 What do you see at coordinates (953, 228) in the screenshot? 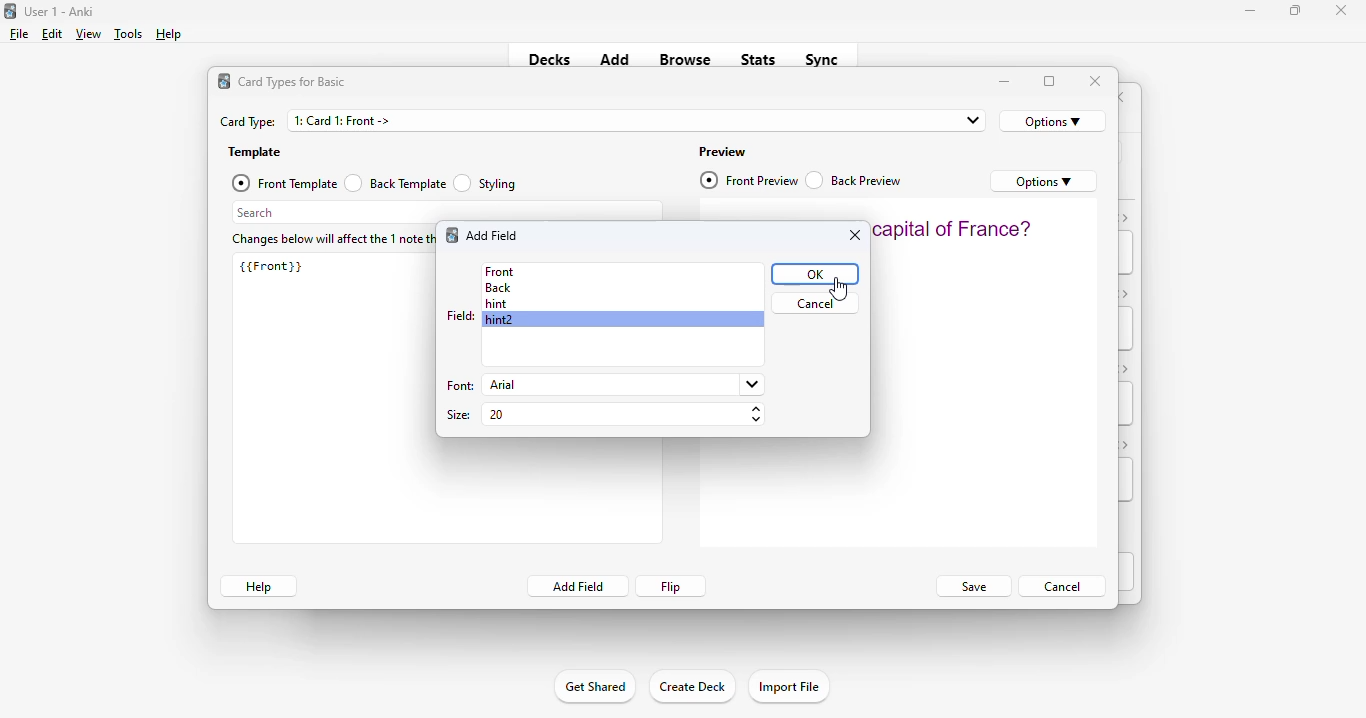
I see `what is the capital of France?` at bounding box center [953, 228].